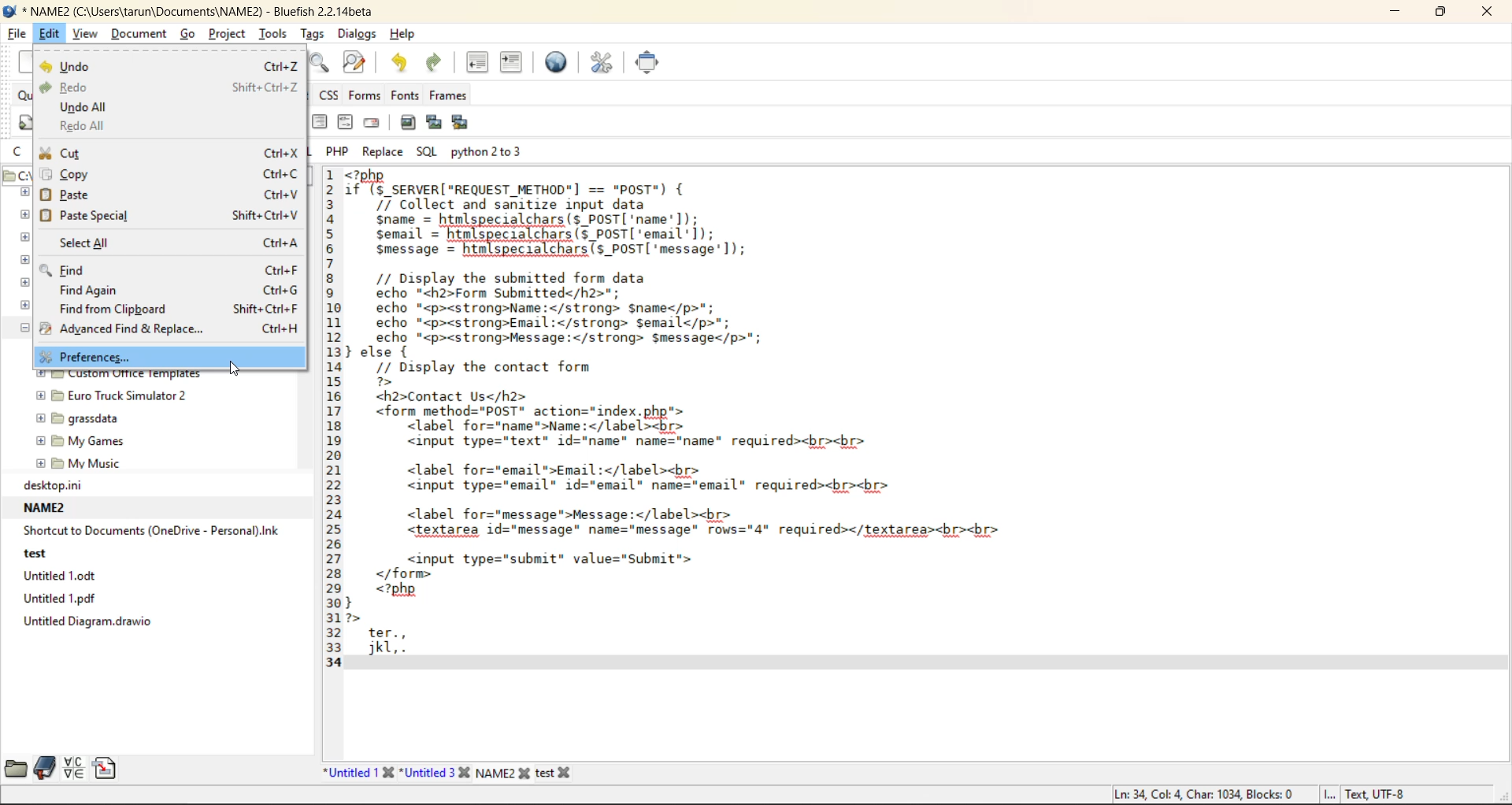 Image resolution: width=1512 pixels, height=805 pixels. What do you see at coordinates (169, 198) in the screenshot?
I see `paste` at bounding box center [169, 198].